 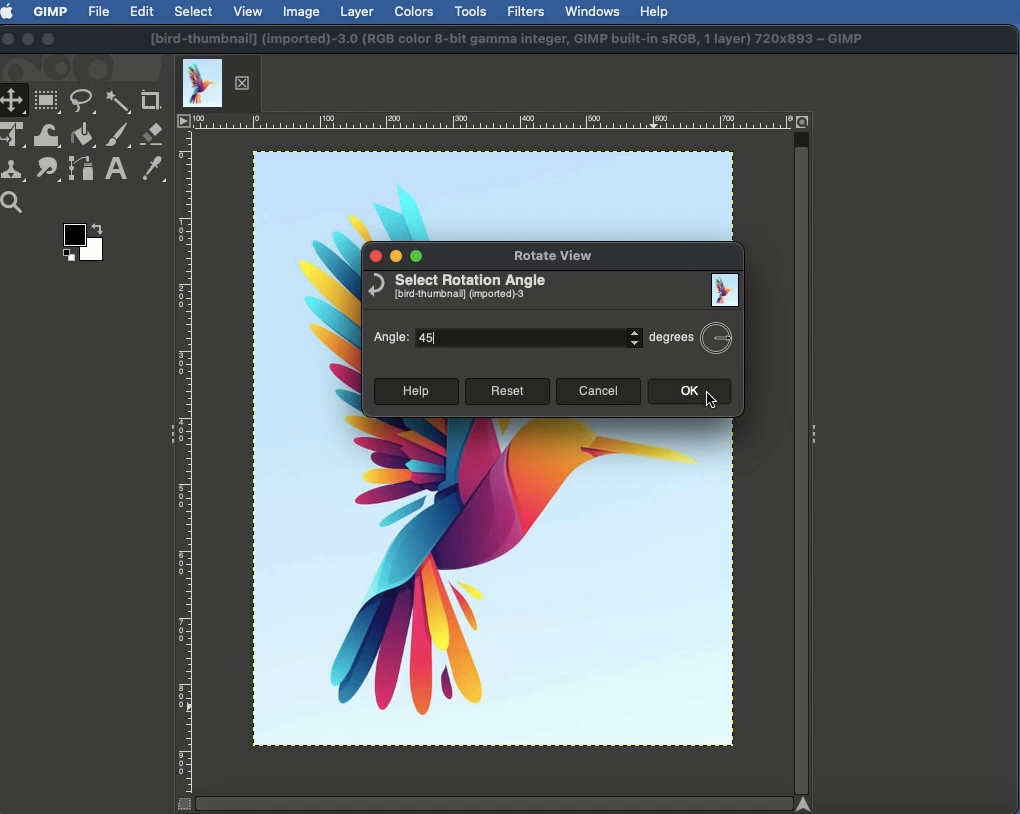 I want to click on Show sidebar menu, so click(x=817, y=430).